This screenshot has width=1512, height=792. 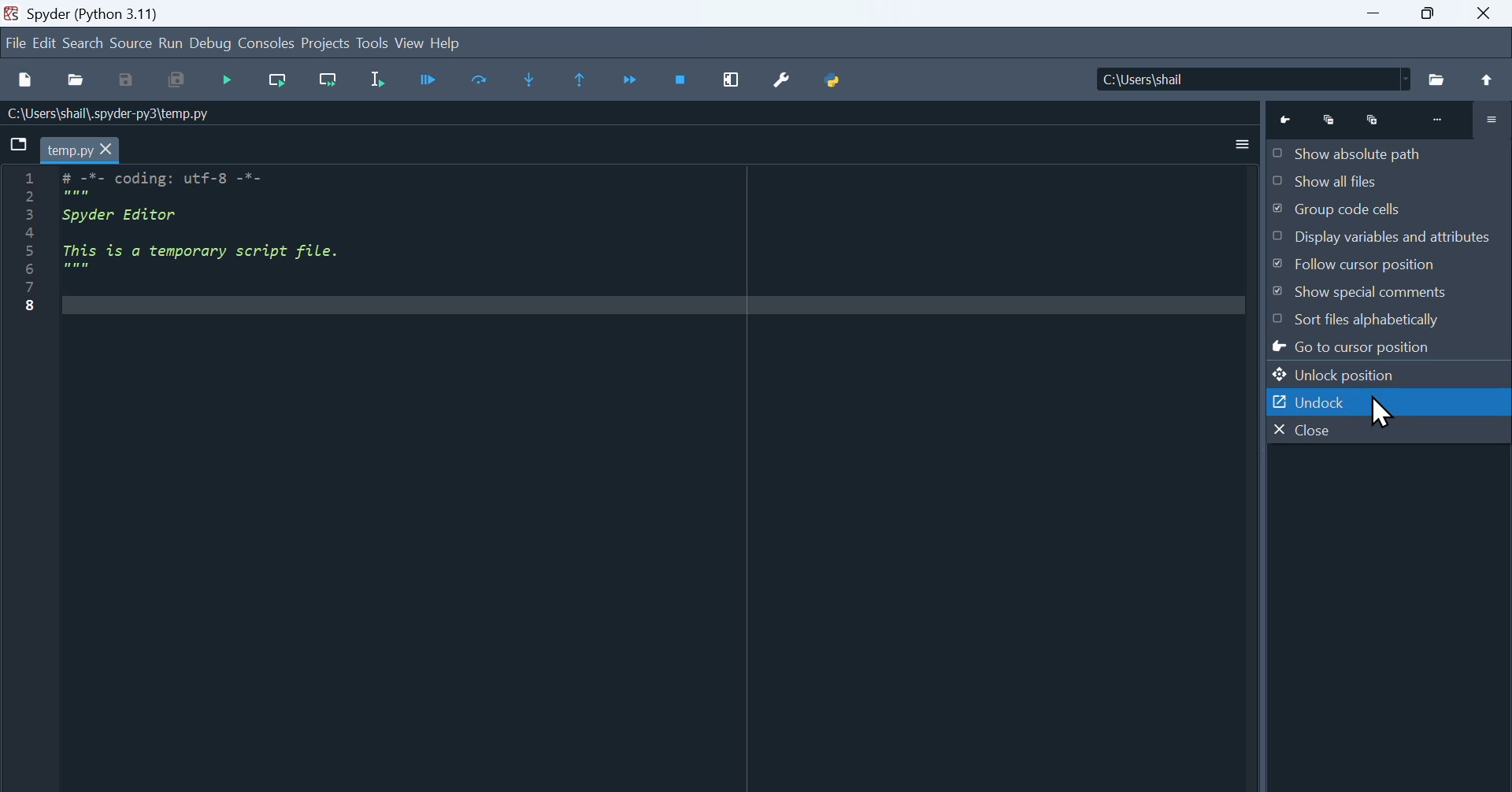 What do you see at coordinates (46, 41) in the screenshot?
I see `Edit` at bounding box center [46, 41].